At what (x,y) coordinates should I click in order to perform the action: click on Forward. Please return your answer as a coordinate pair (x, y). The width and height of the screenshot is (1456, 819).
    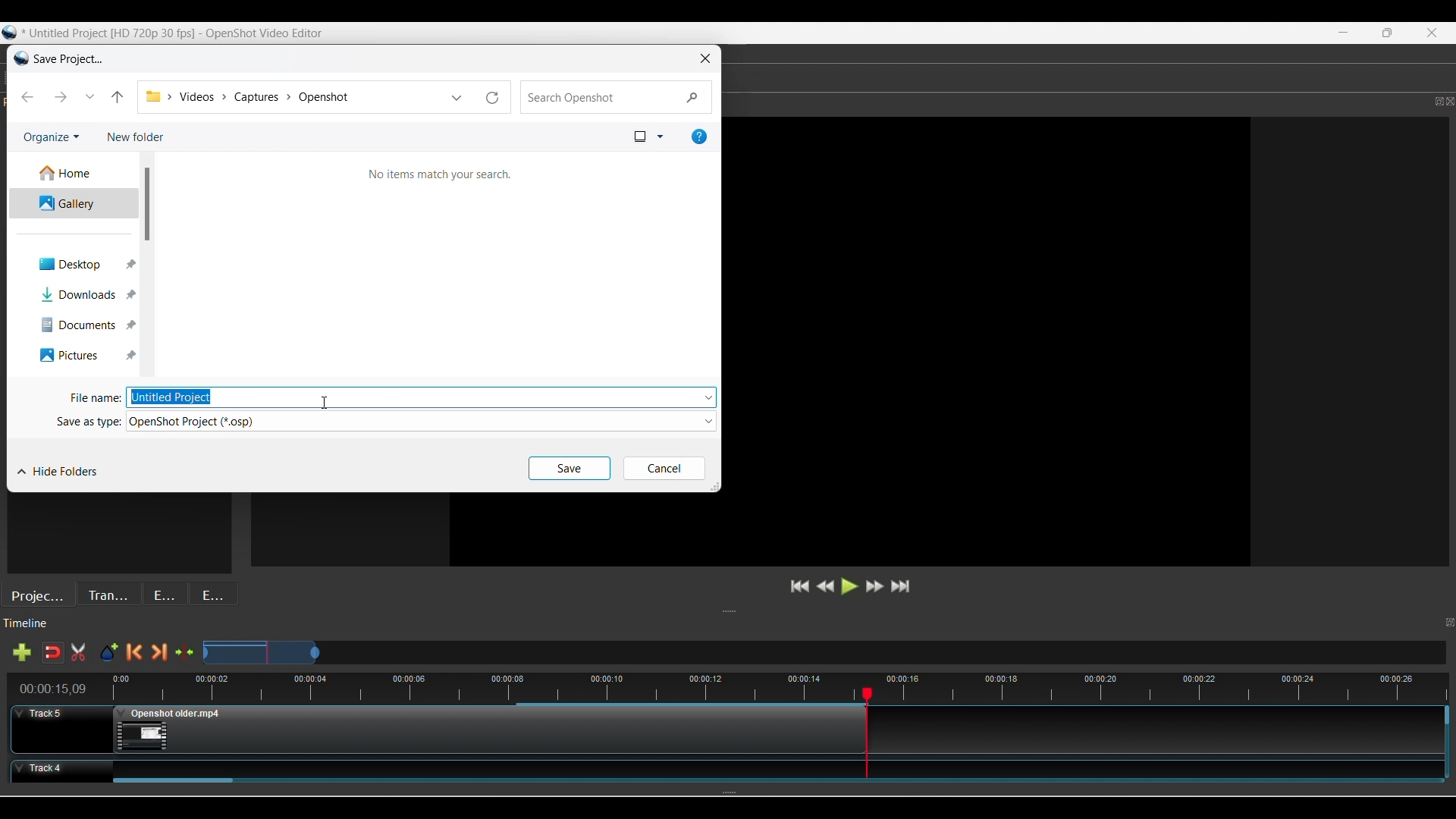
    Looking at the image, I should click on (60, 96).